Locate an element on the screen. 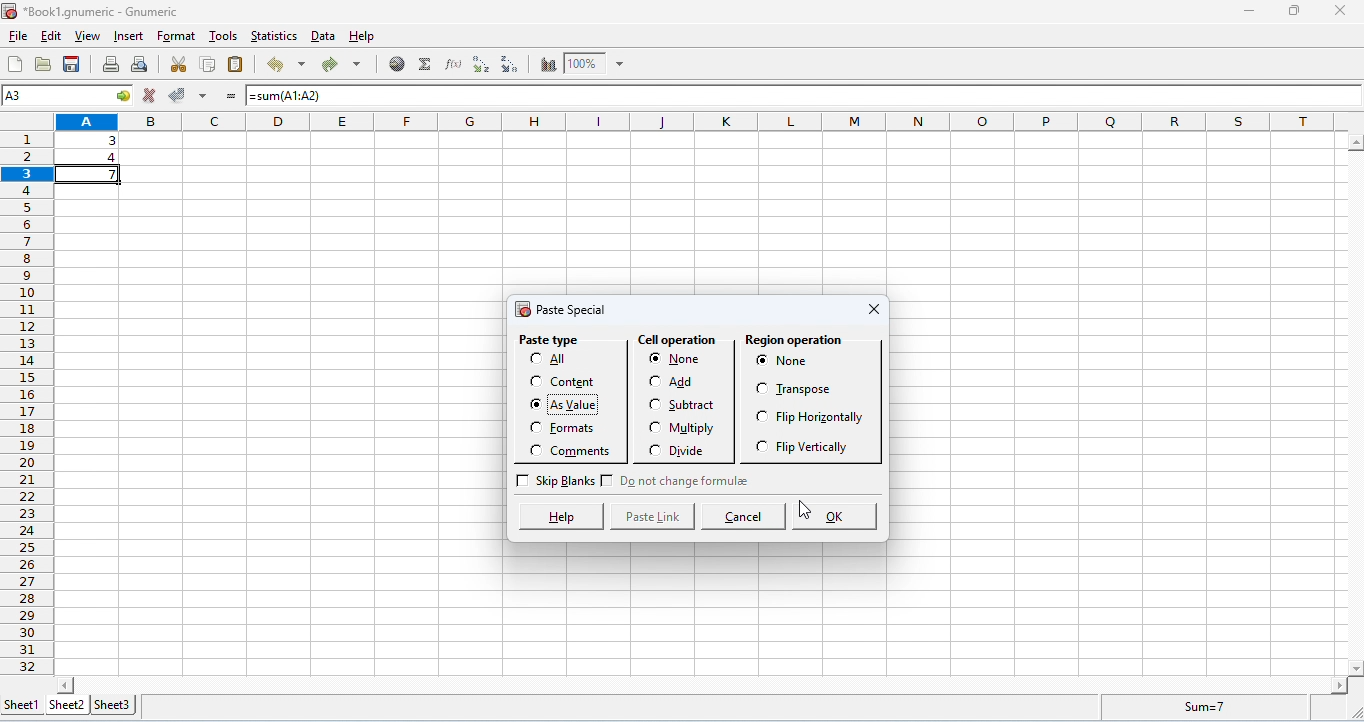  zoom is located at coordinates (595, 63).